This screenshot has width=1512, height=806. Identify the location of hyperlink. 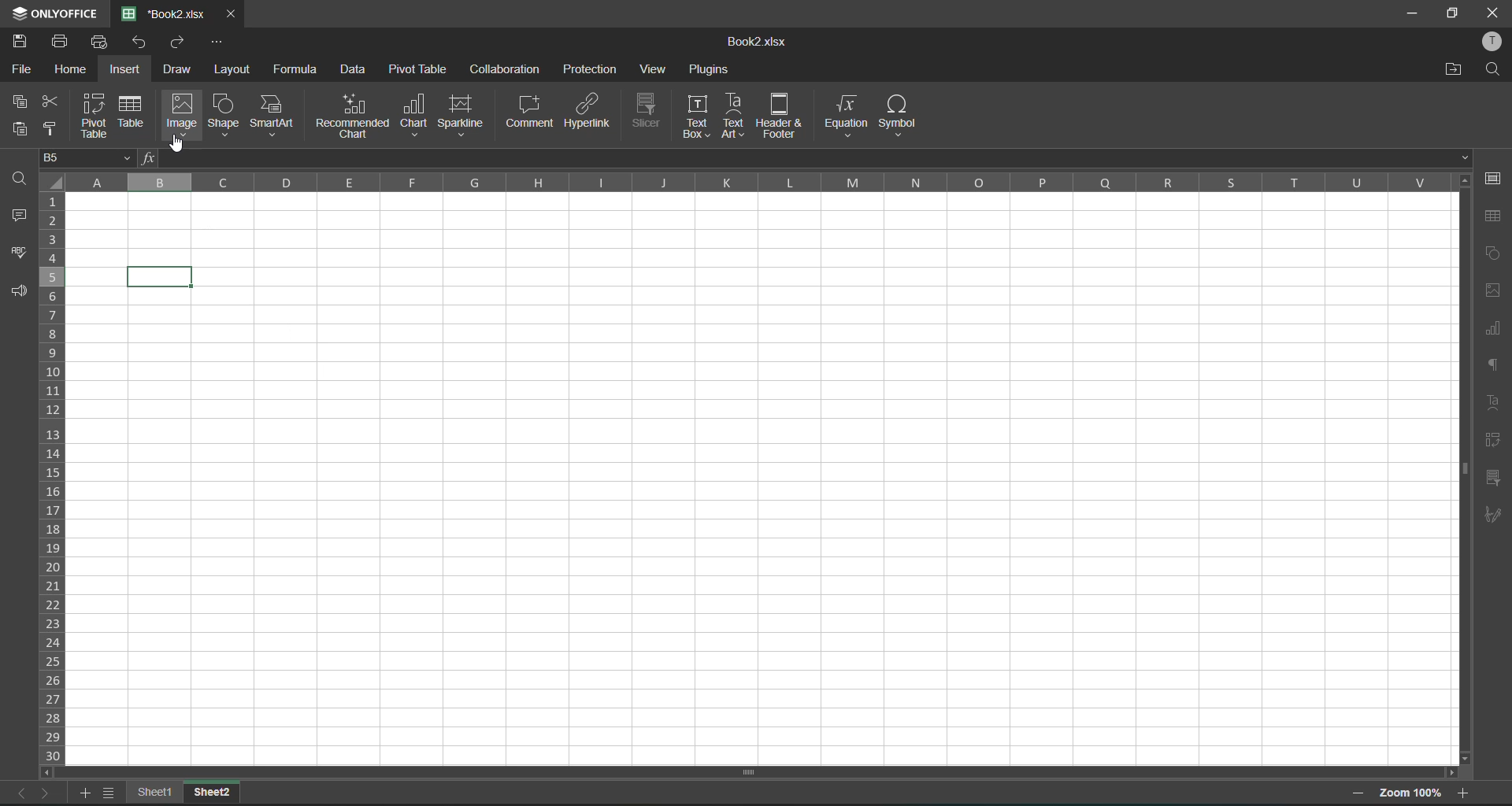
(587, 112).